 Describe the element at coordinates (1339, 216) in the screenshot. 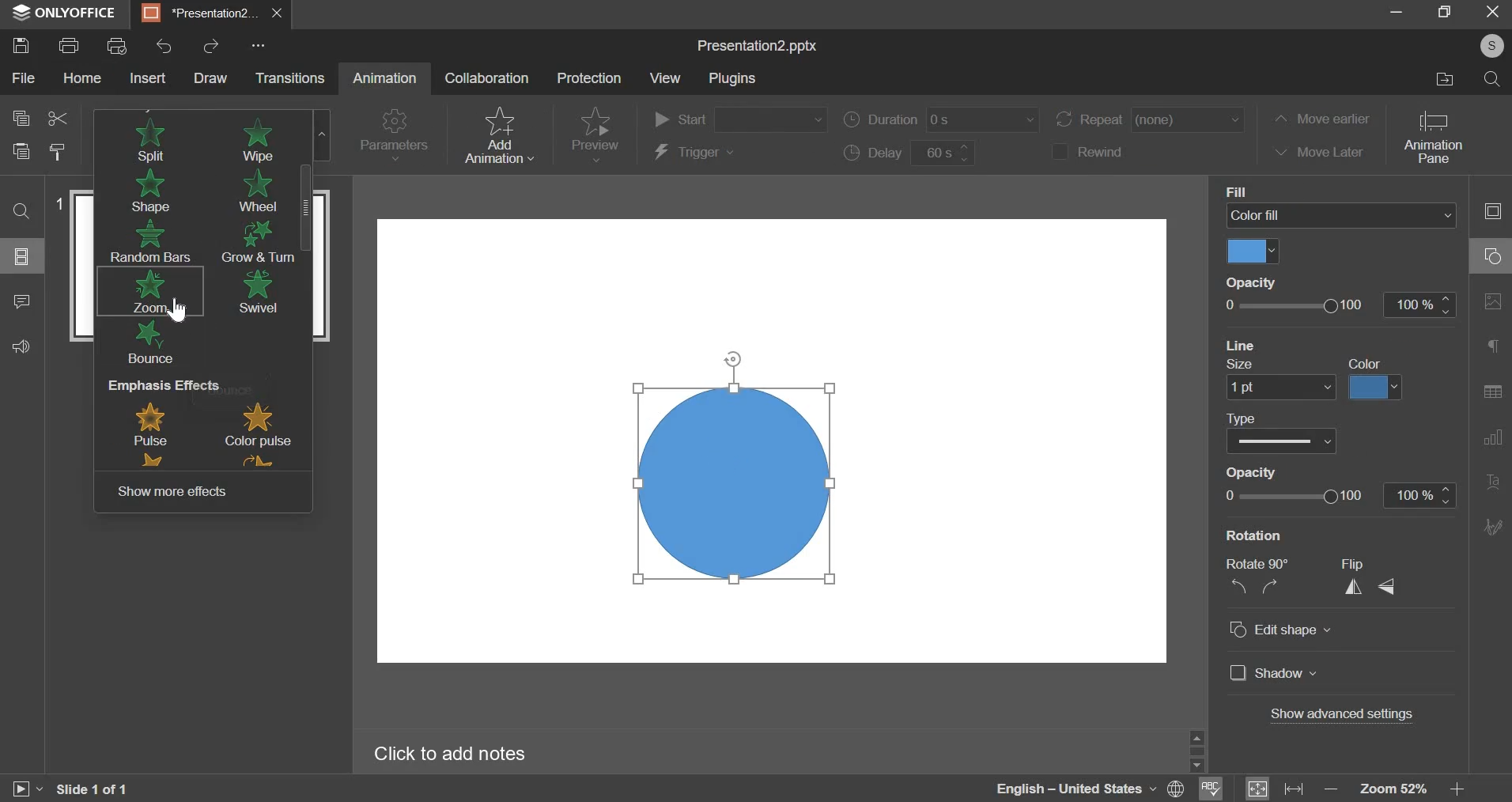

I see `background fill` at that location.